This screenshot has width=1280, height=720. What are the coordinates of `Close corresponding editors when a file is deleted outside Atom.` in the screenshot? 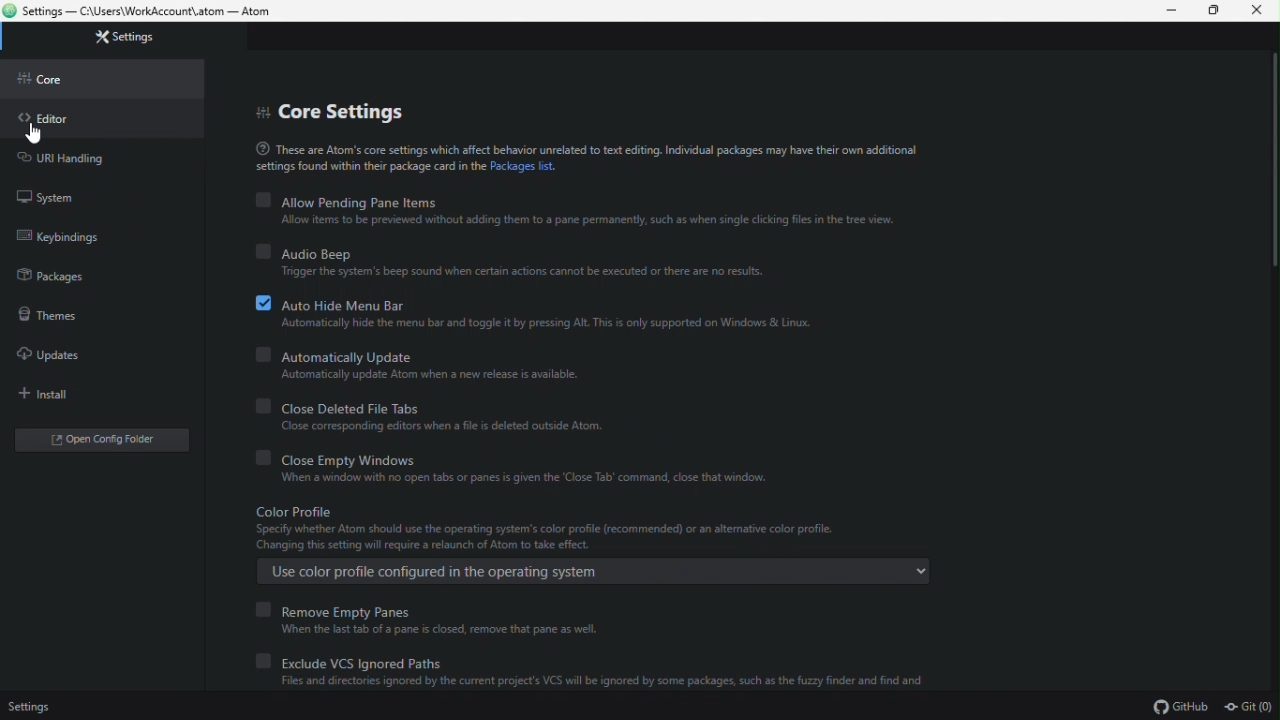 It's located at (448, 427).